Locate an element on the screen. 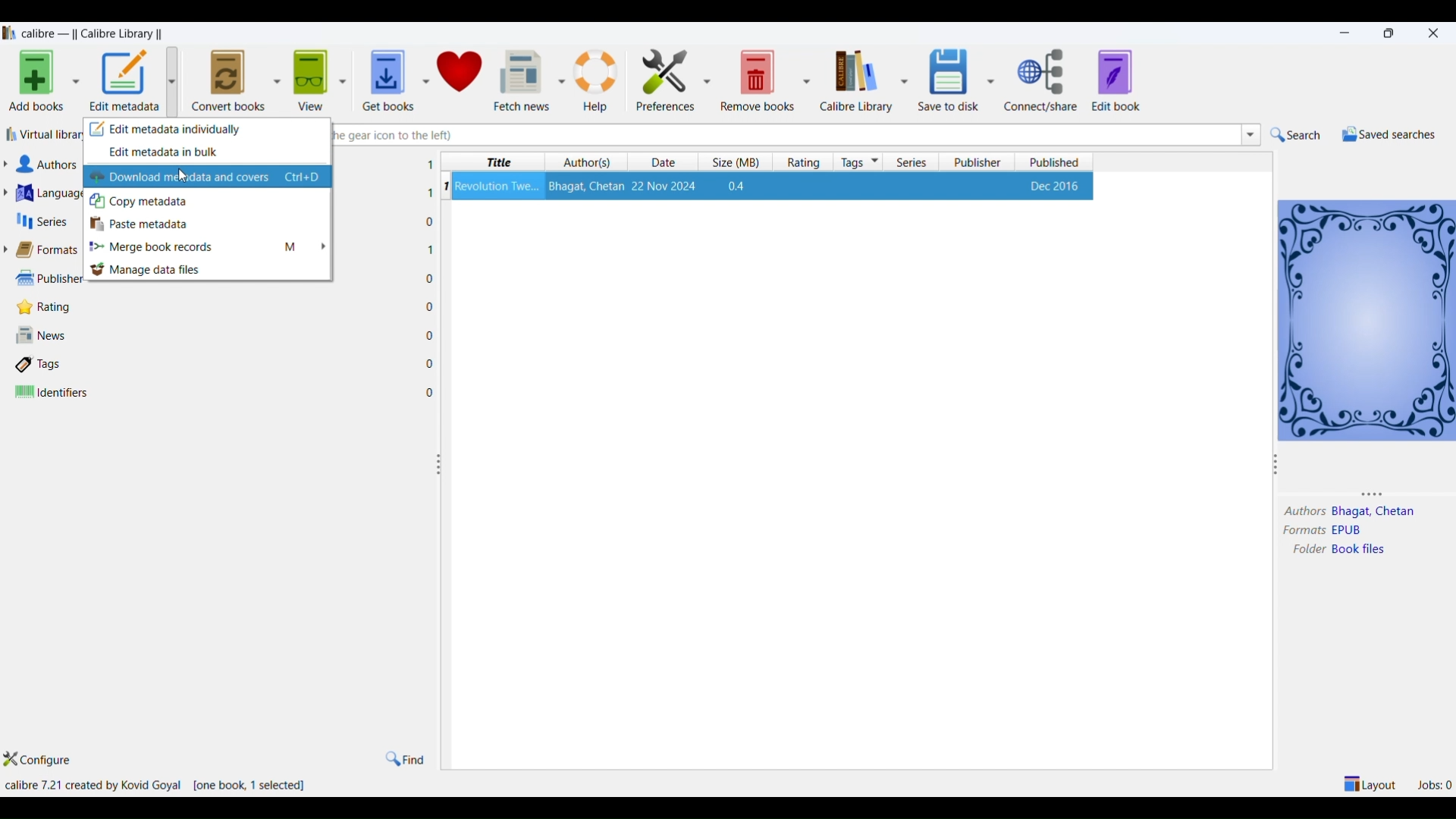  resize is located at coordinates (1379, 493).